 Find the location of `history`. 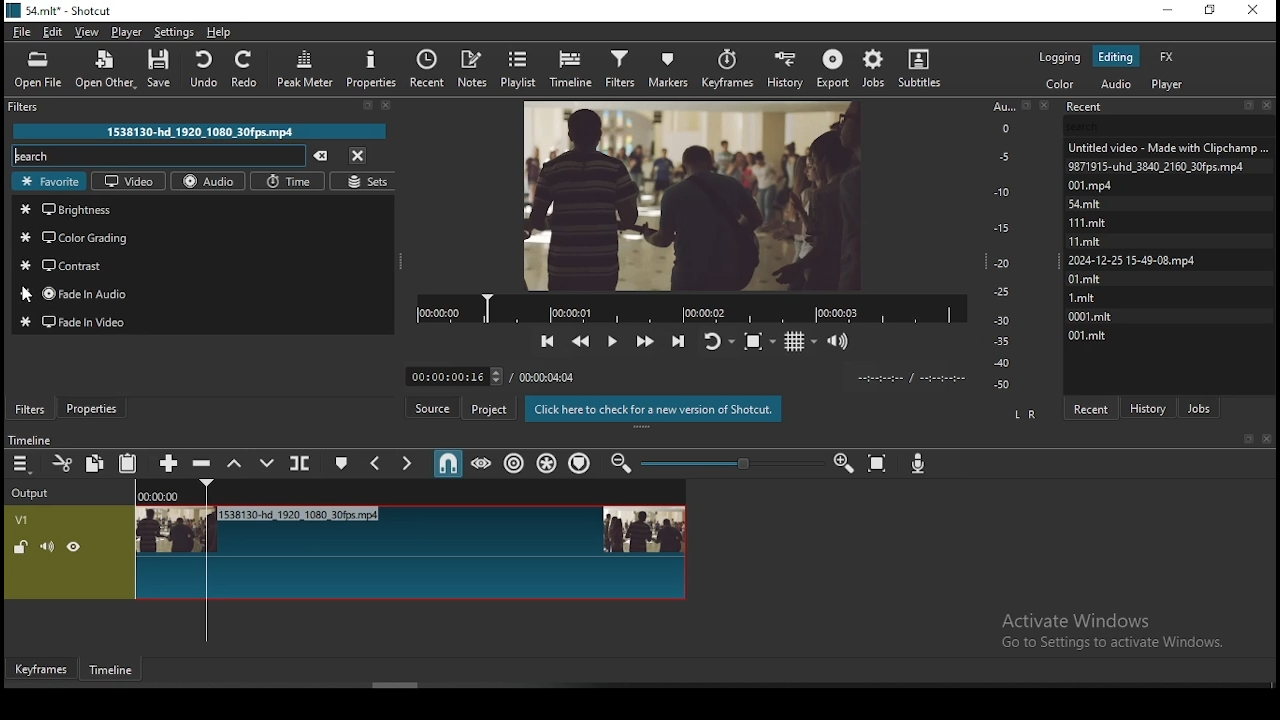

history is located at coordinates (1150, 402).